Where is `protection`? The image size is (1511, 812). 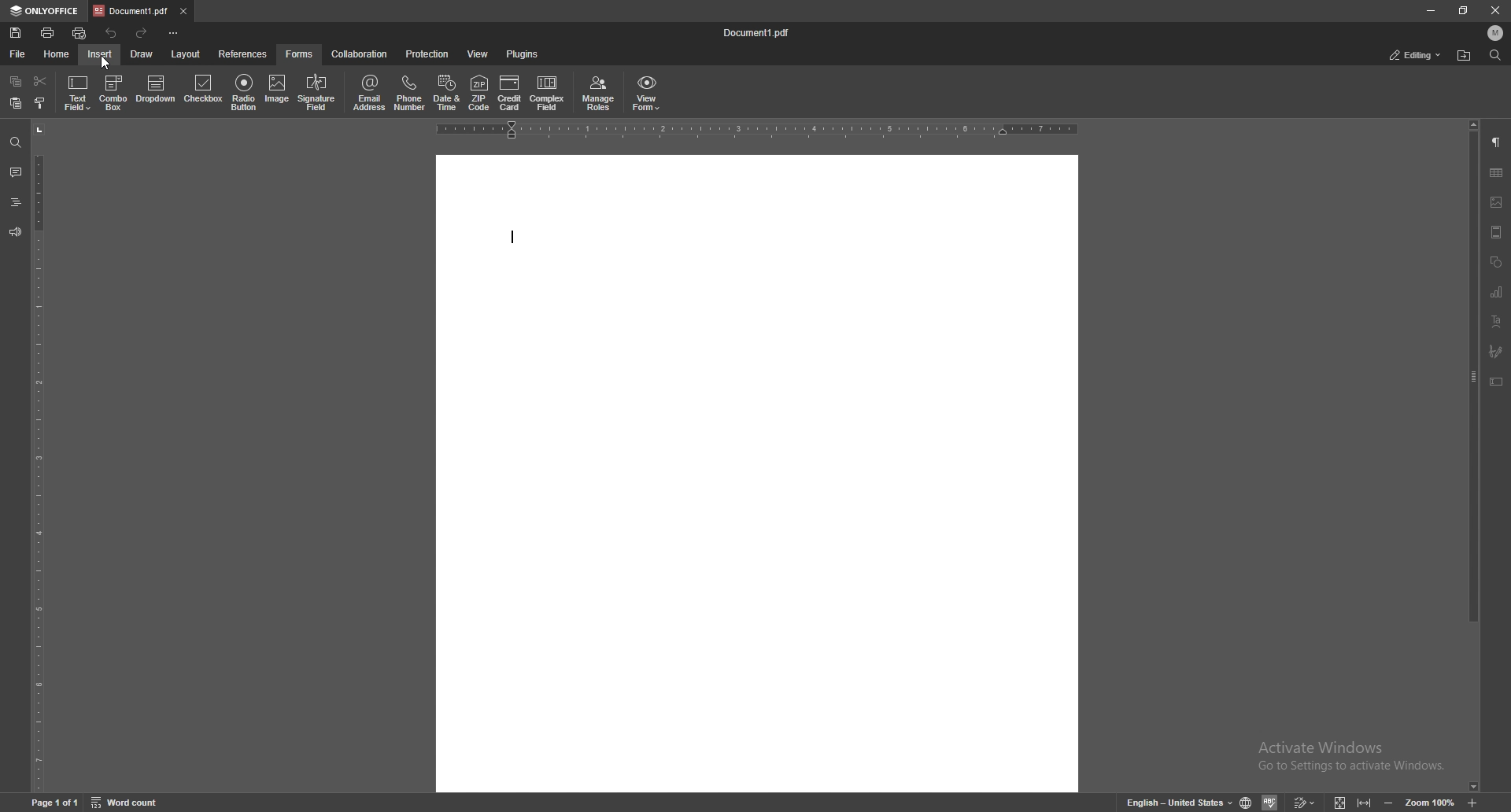 protection is located at coordinates (427, 53).